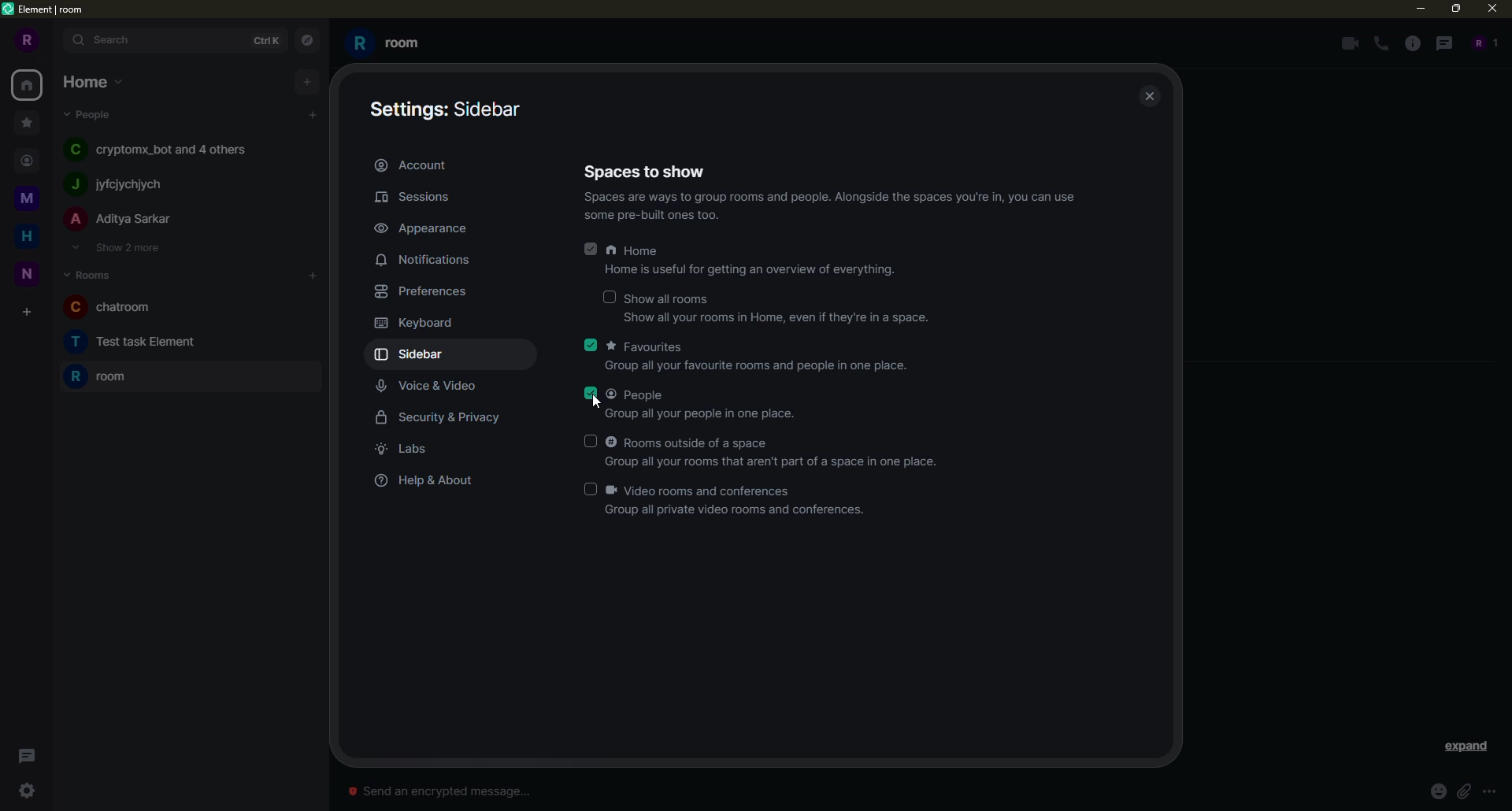 The width and height of the screenshot is (1512, 811). I want to click on n, so click(26, 198).